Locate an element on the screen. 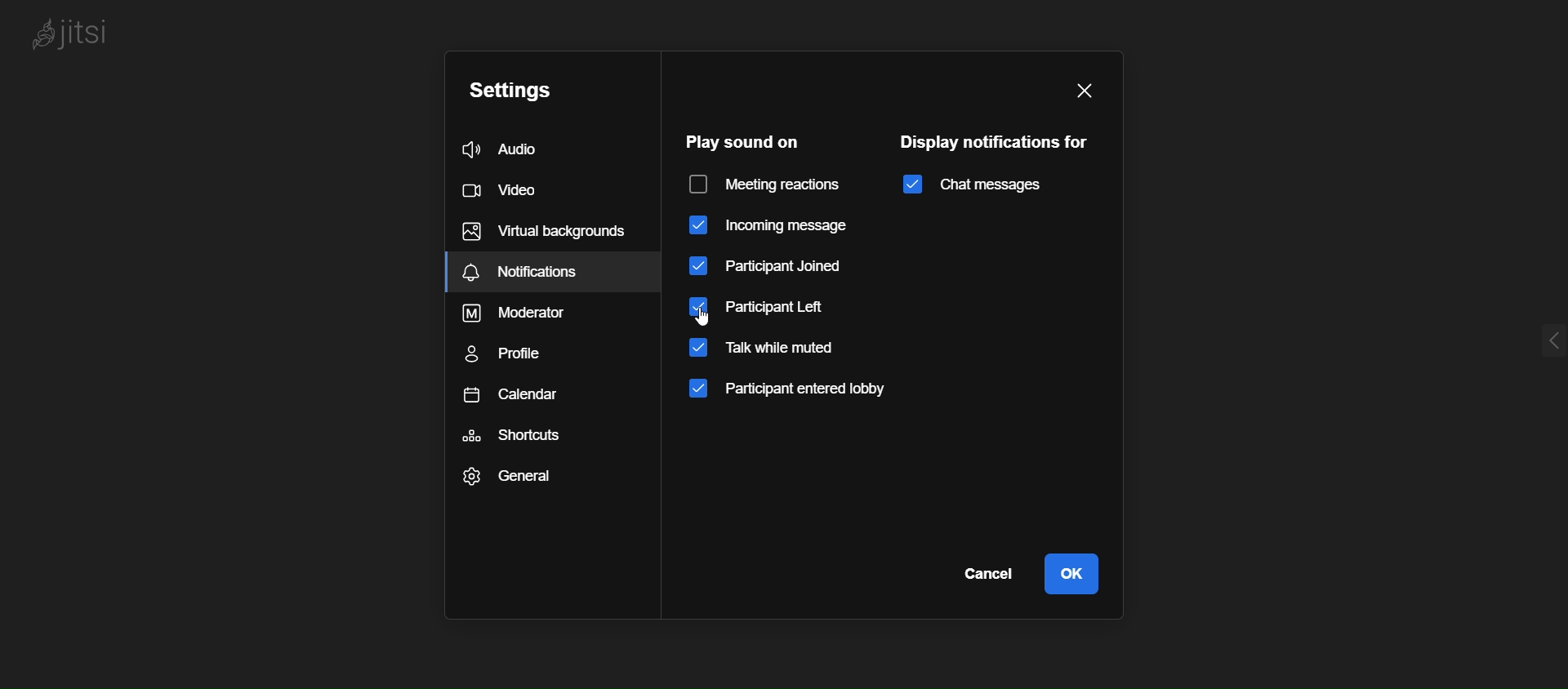  close is located at coordinates (1097, 93).